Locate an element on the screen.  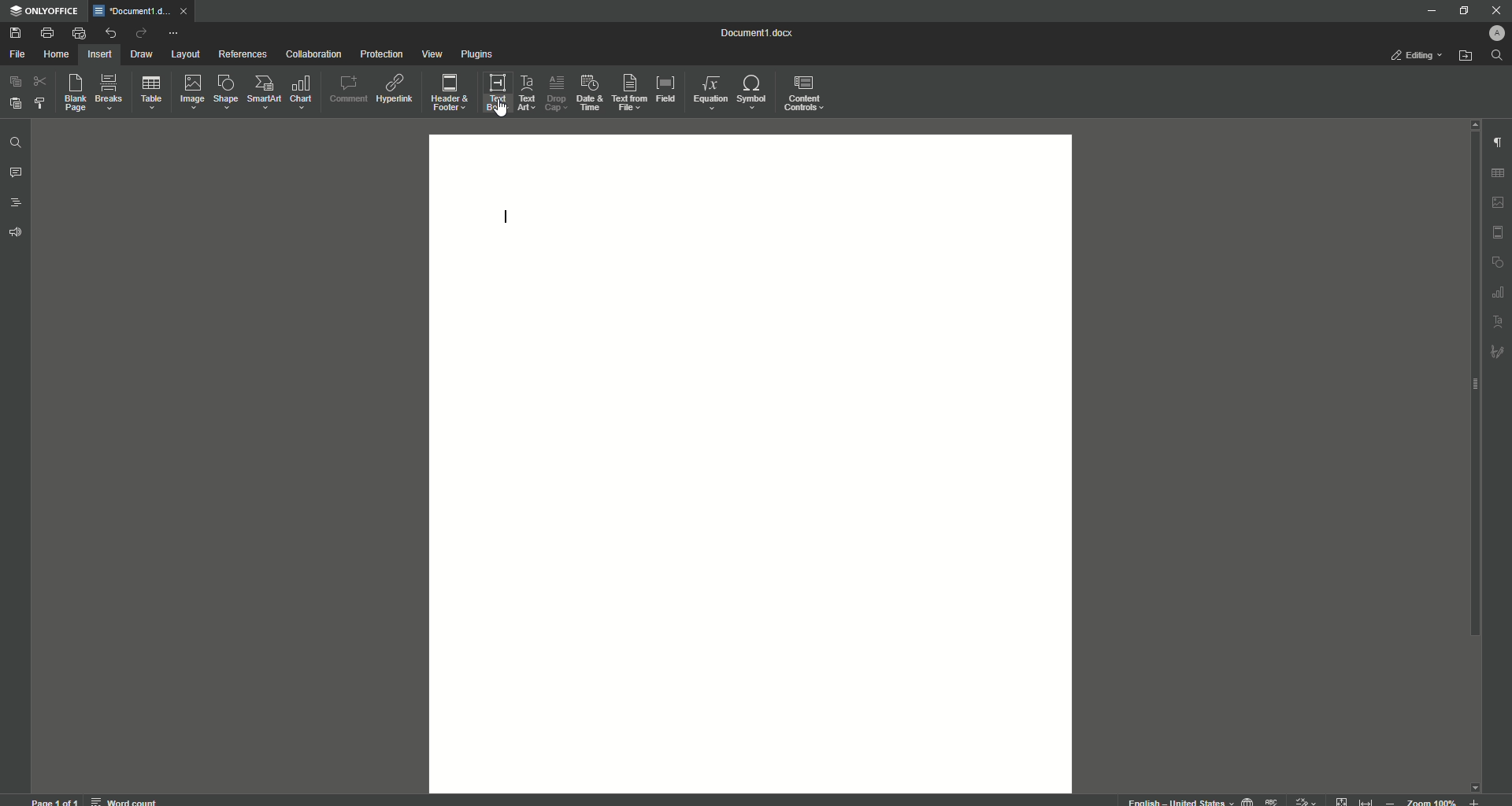
Text Art is located at coordinates (524, 94).